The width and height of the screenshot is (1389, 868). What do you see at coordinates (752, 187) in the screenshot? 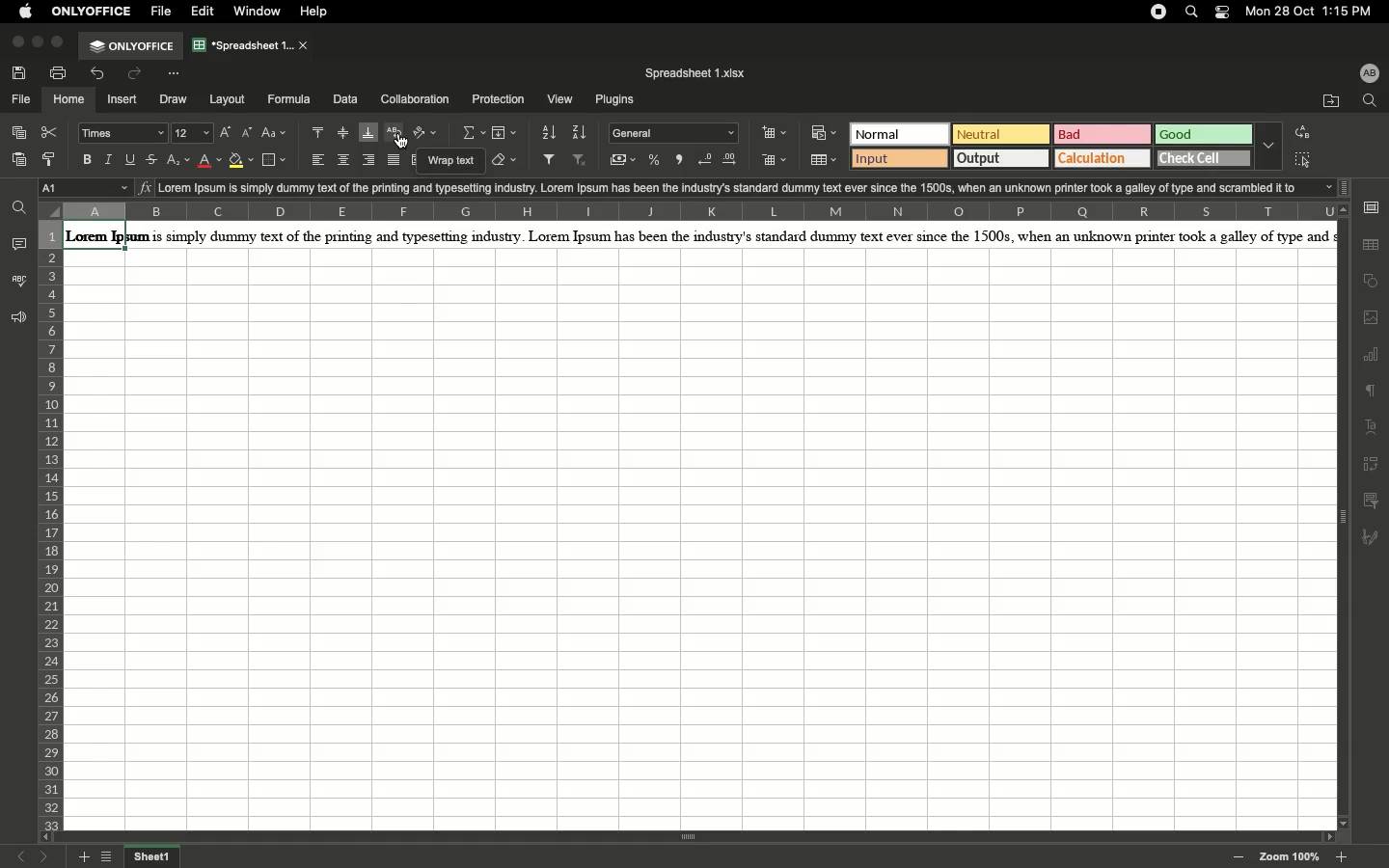
I see `Sample text` at bounding box center [752, 187].